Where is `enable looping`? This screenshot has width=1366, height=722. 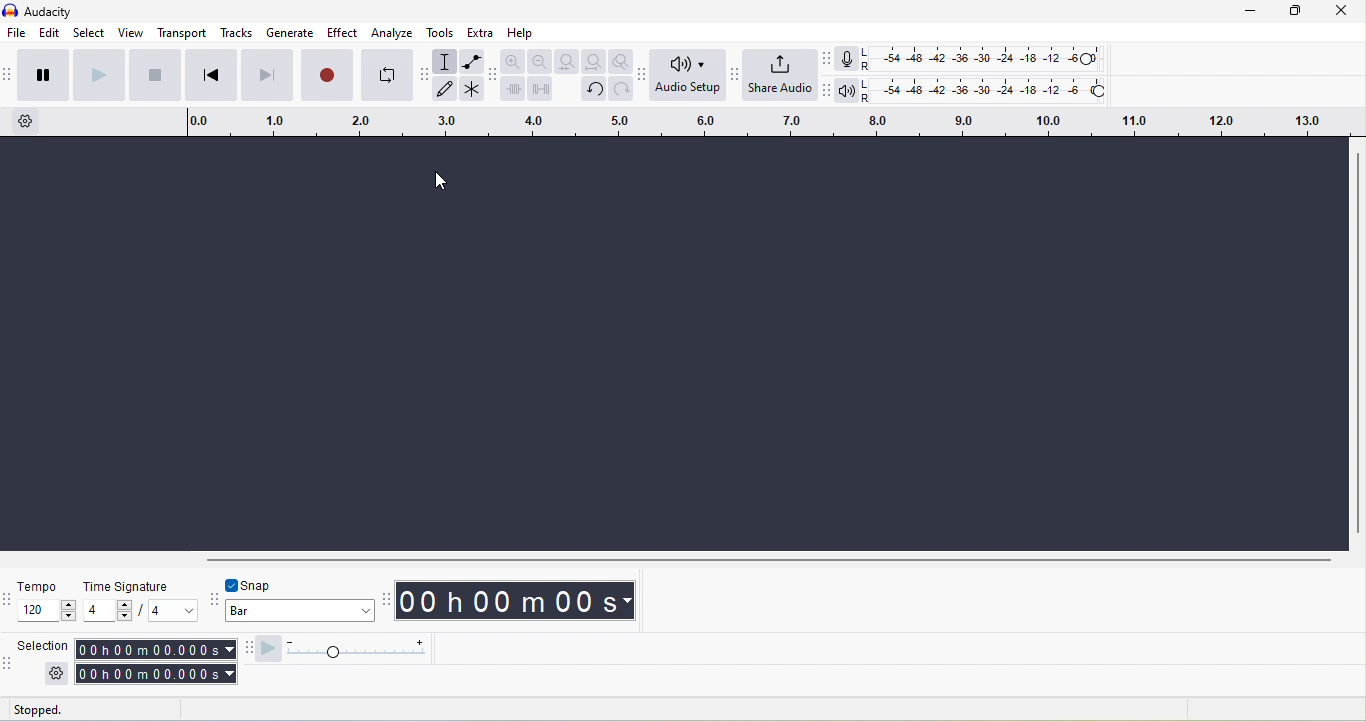 enable looping is located at coordinates (388, 76).